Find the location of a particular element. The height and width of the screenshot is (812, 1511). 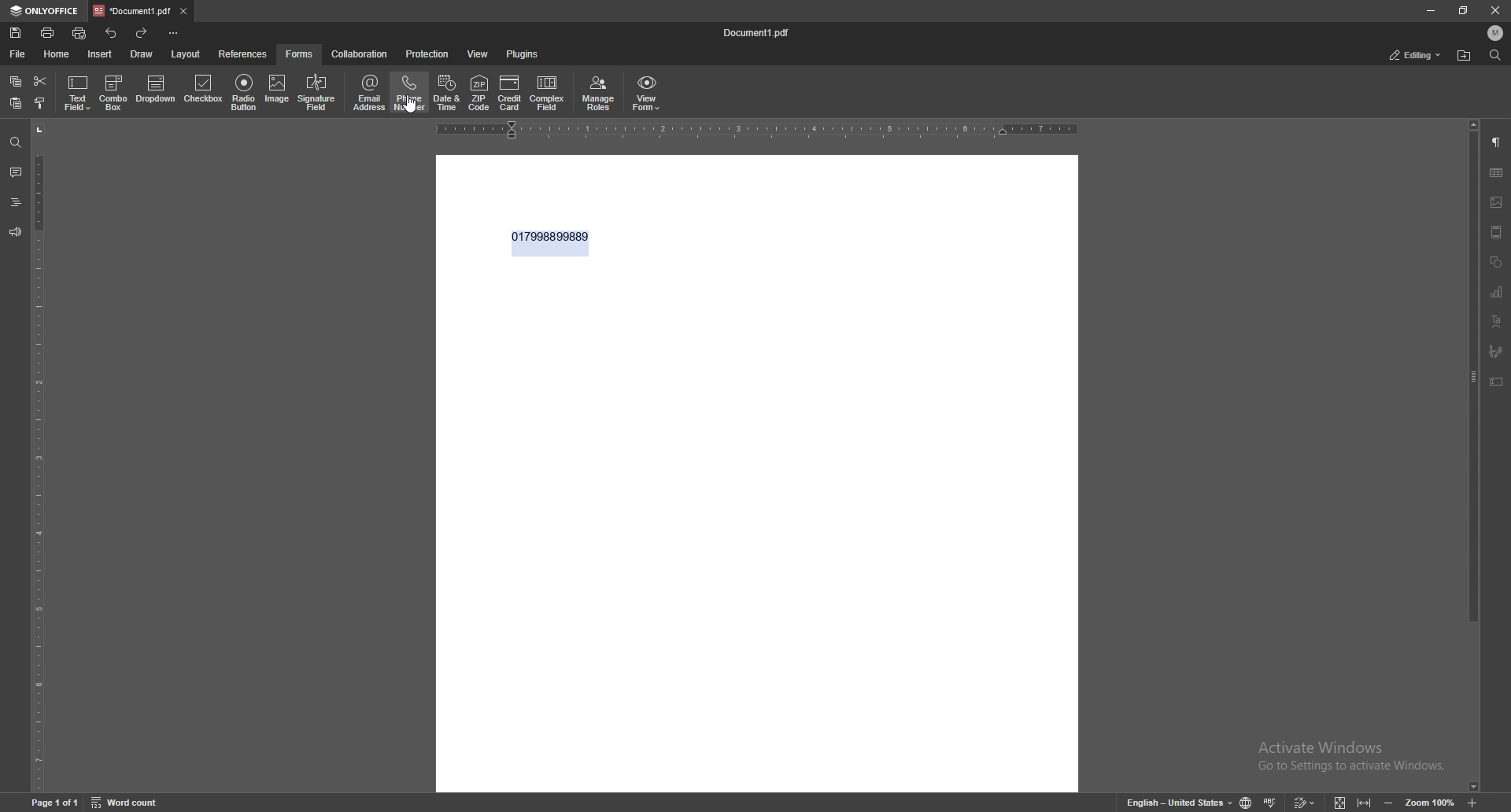

comment is located at coordinates (15, 172).